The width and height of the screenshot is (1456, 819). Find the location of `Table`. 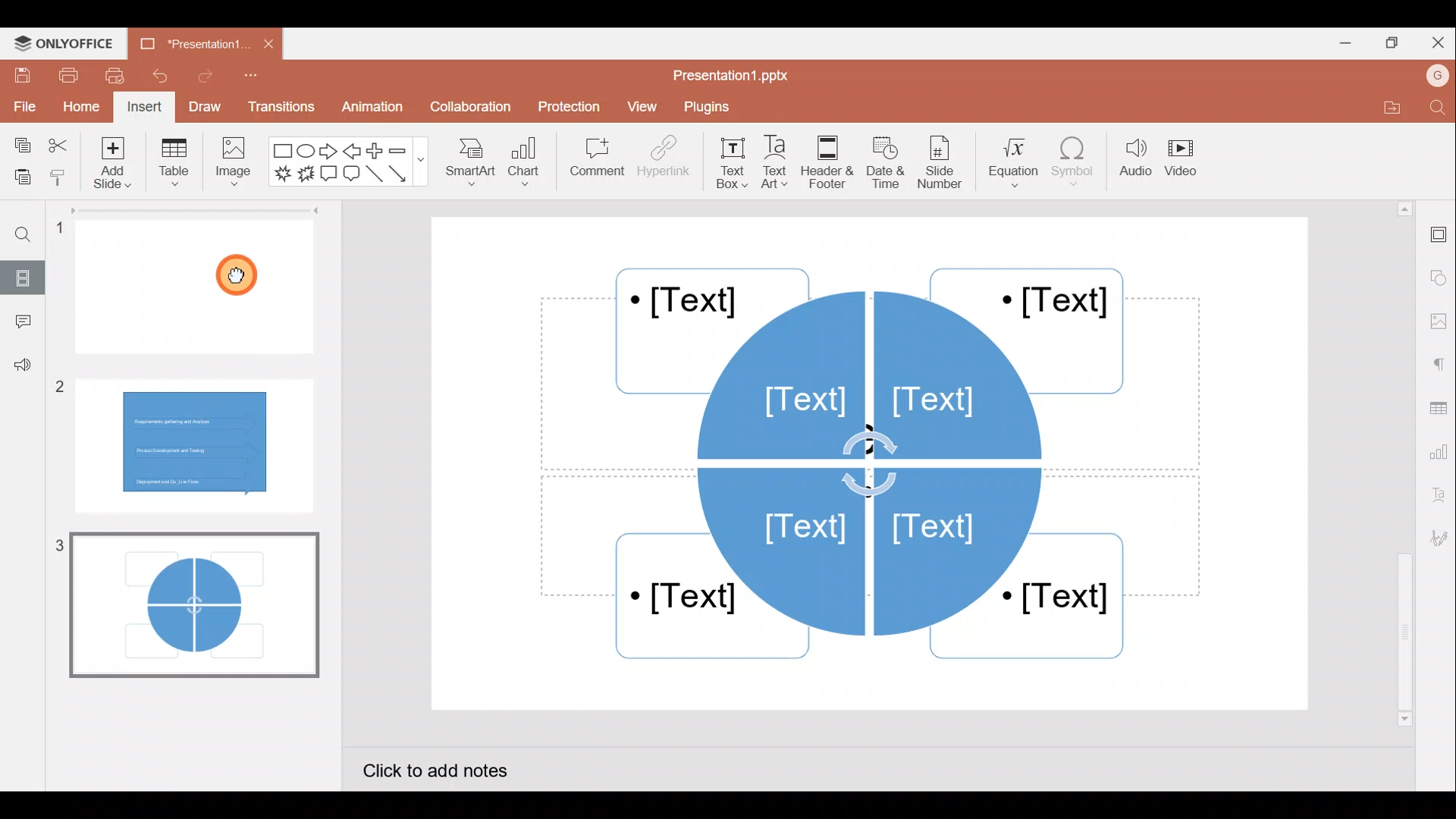

Table is located at coordinates (174, 165).